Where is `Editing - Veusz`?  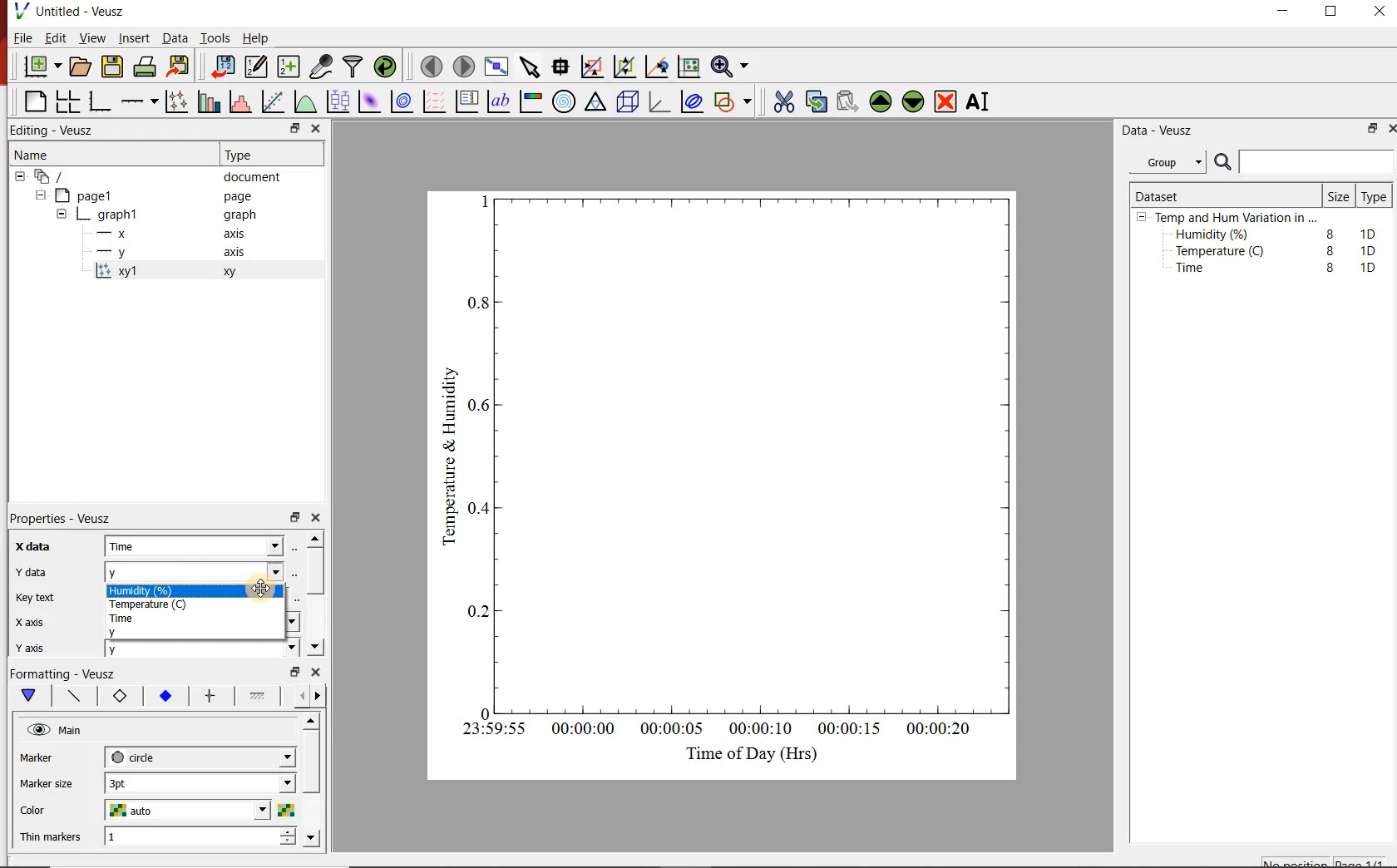 Editing - Veusz is located at coordinates (57, 130).